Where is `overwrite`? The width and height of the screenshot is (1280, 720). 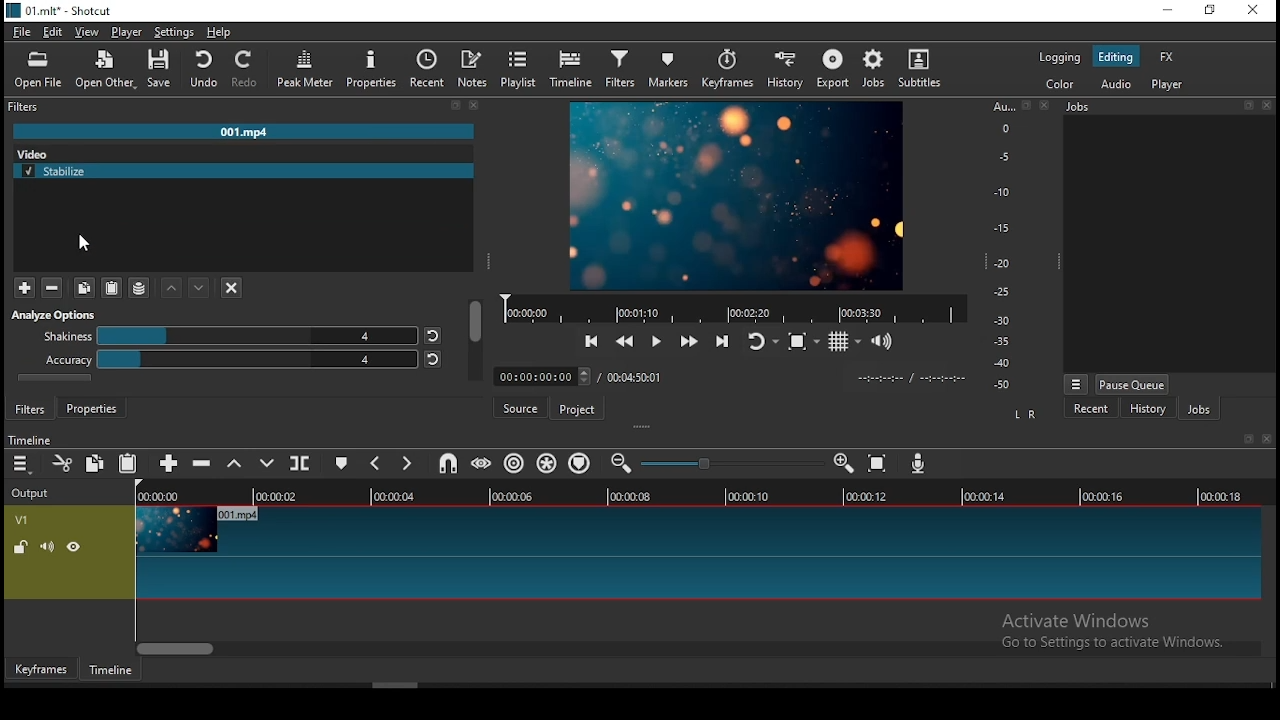 overwrite is located at coordinates (269, 462).